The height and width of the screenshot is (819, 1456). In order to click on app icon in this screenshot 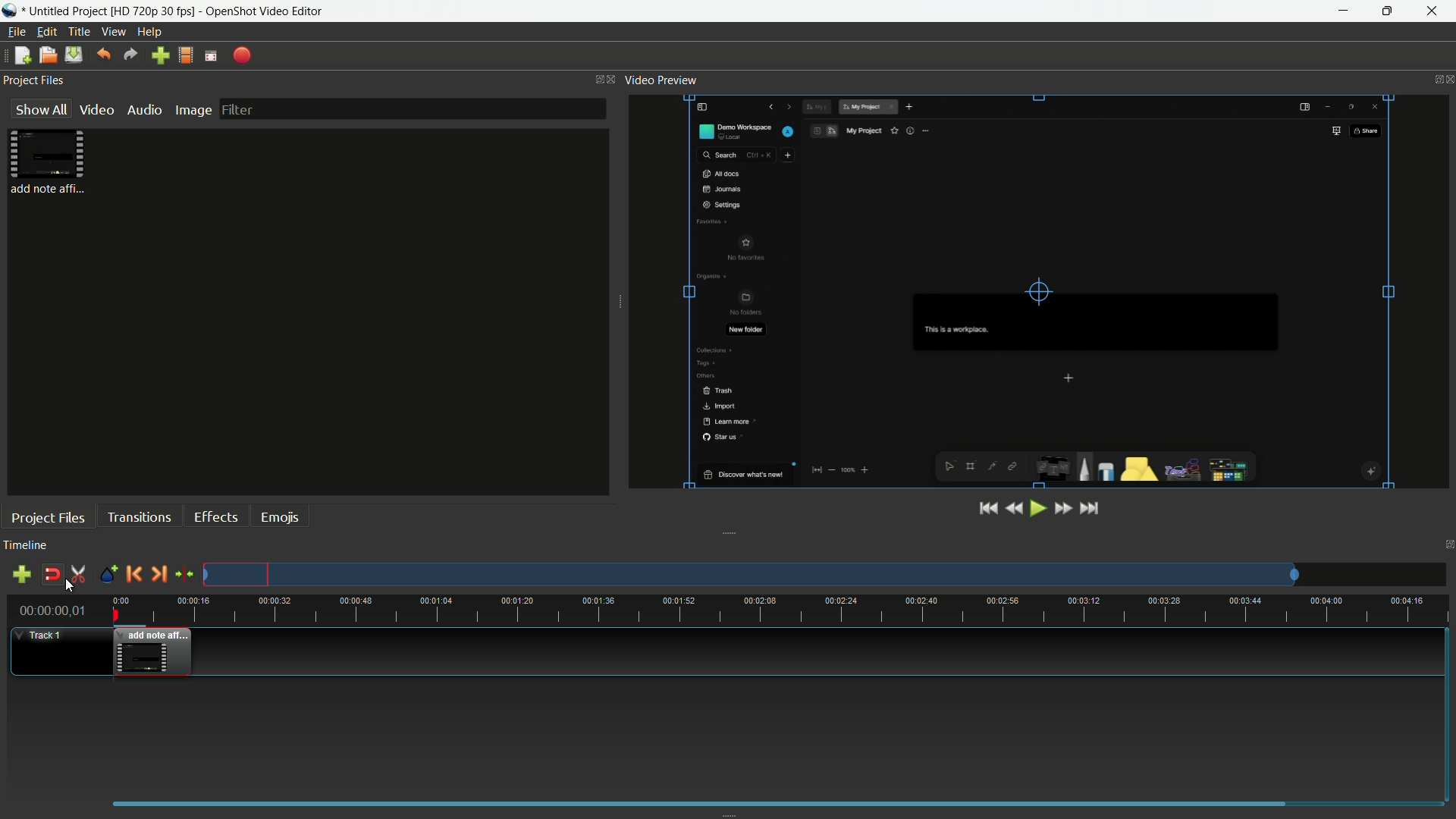, I will do `click(10, 11)`.